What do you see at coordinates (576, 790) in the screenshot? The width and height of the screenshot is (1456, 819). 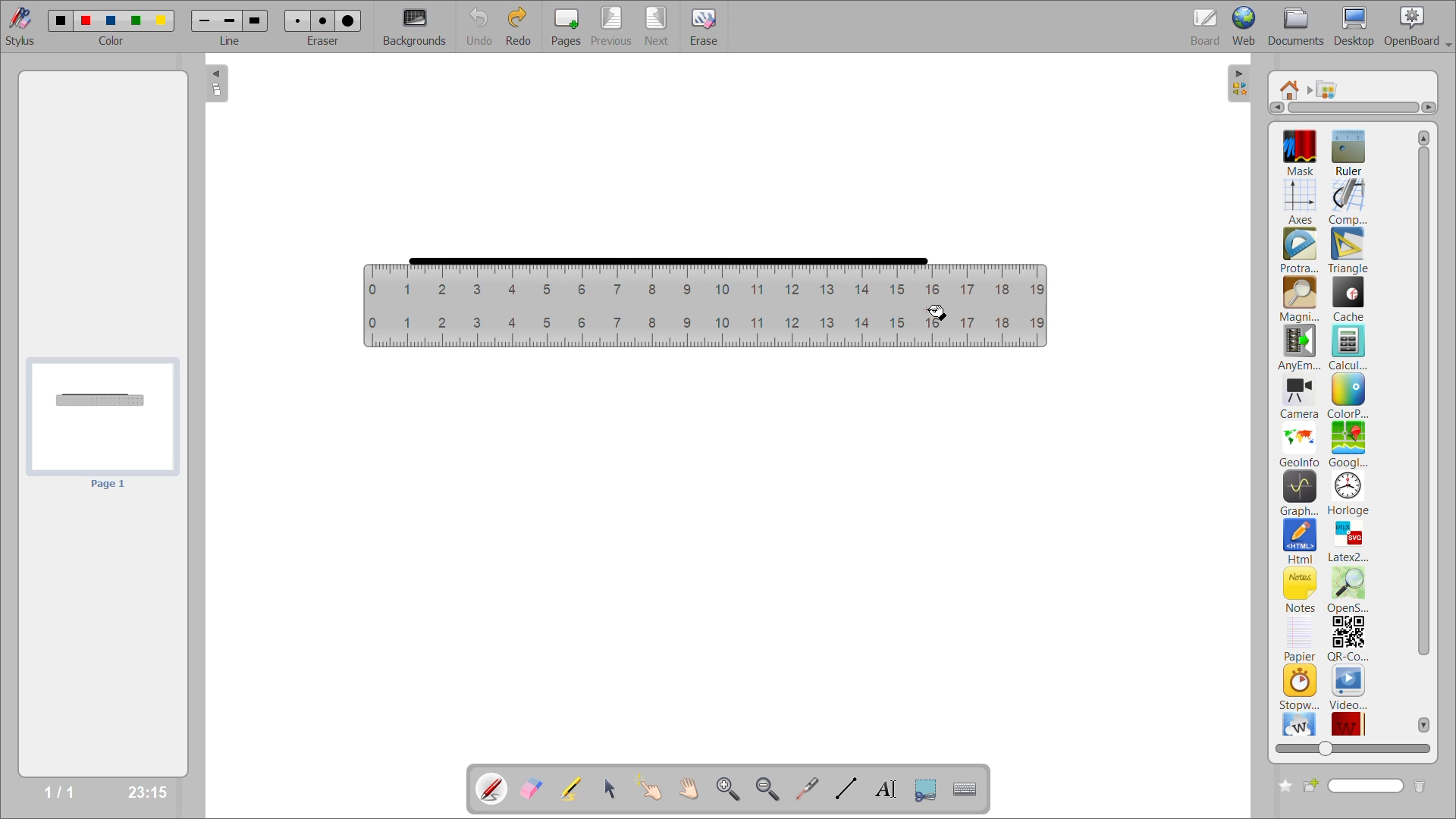 I see `highlight` at bounding box center [576, 790].